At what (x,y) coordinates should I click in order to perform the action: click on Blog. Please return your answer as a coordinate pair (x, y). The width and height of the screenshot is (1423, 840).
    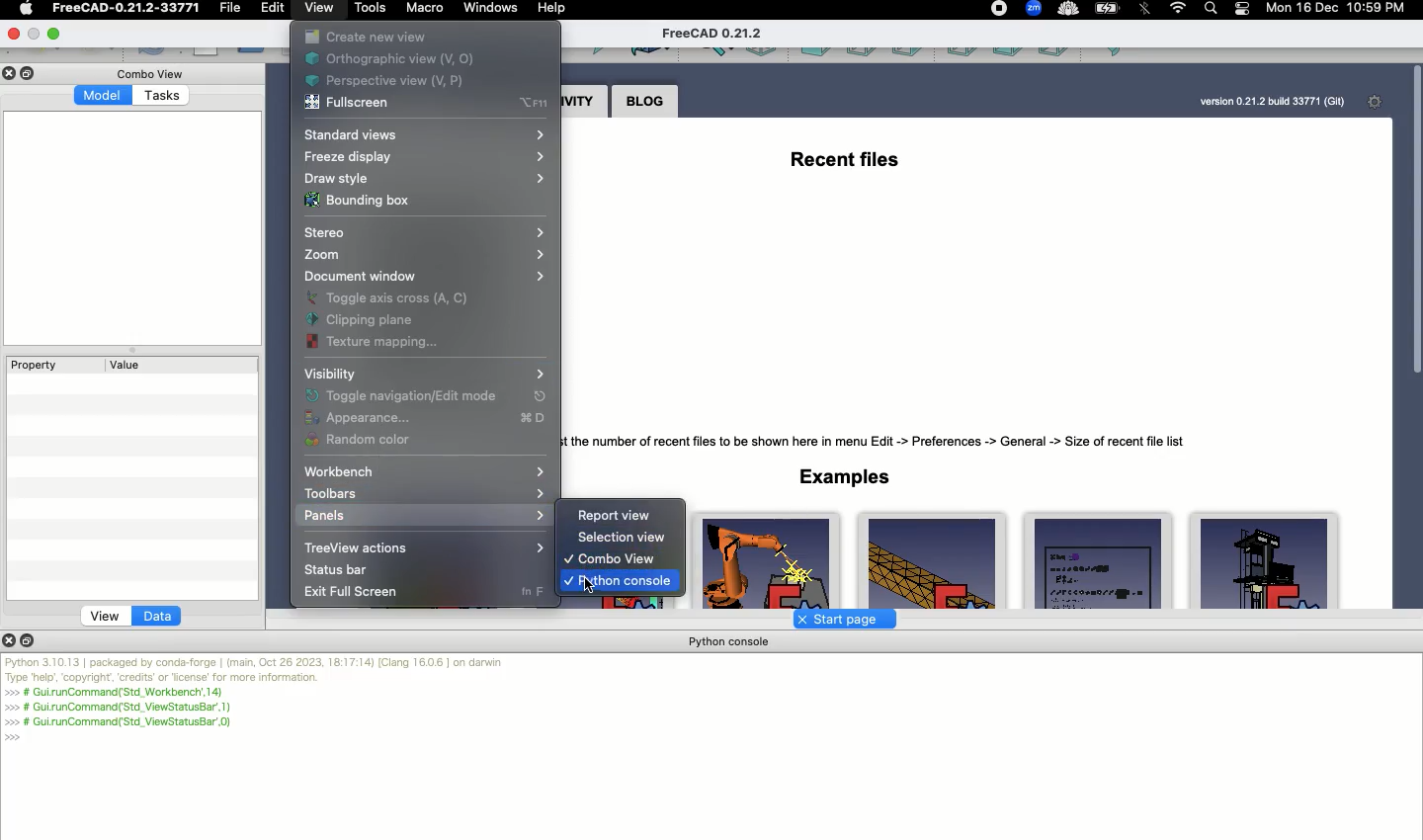
    Looking at the image, I should click on (645, 103).